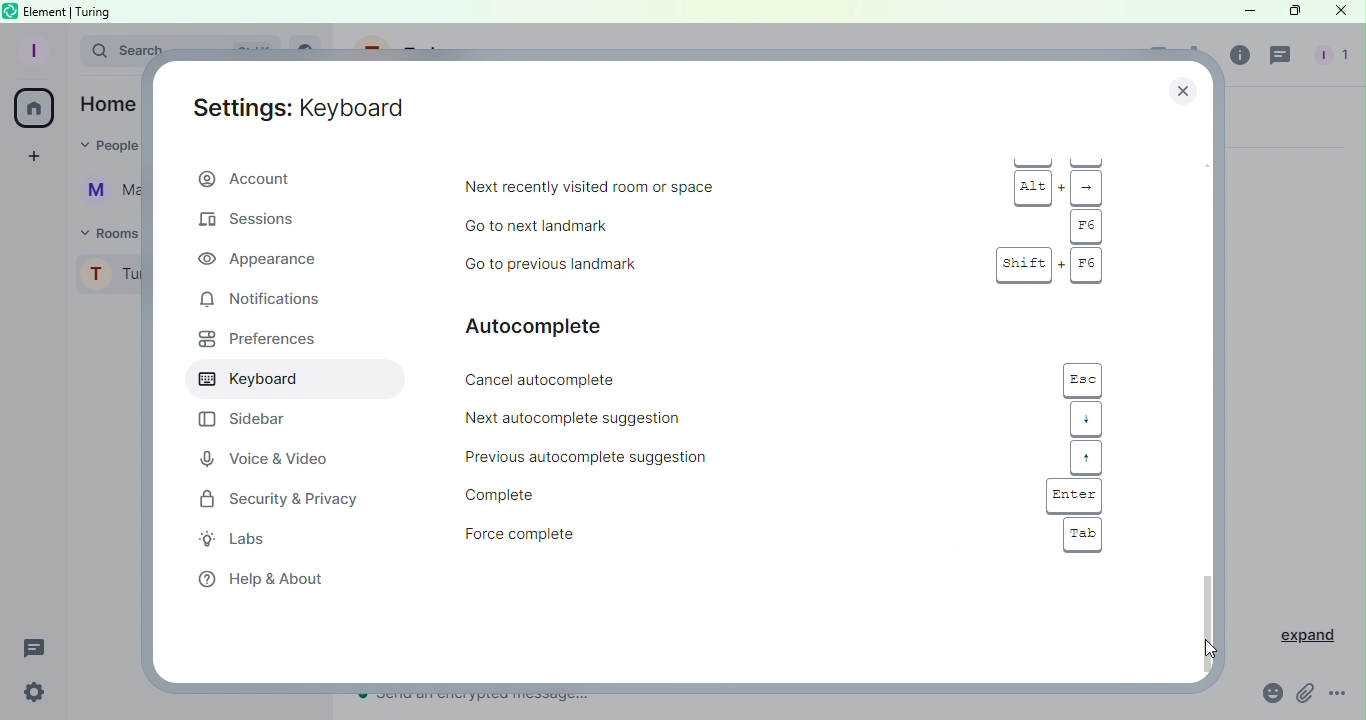 The height and width of the screenshot is (720, 1366). What do you see at coordinates (1237, 59) in the screenshot?
I see `Room info` at bounding box center [1237, 59].